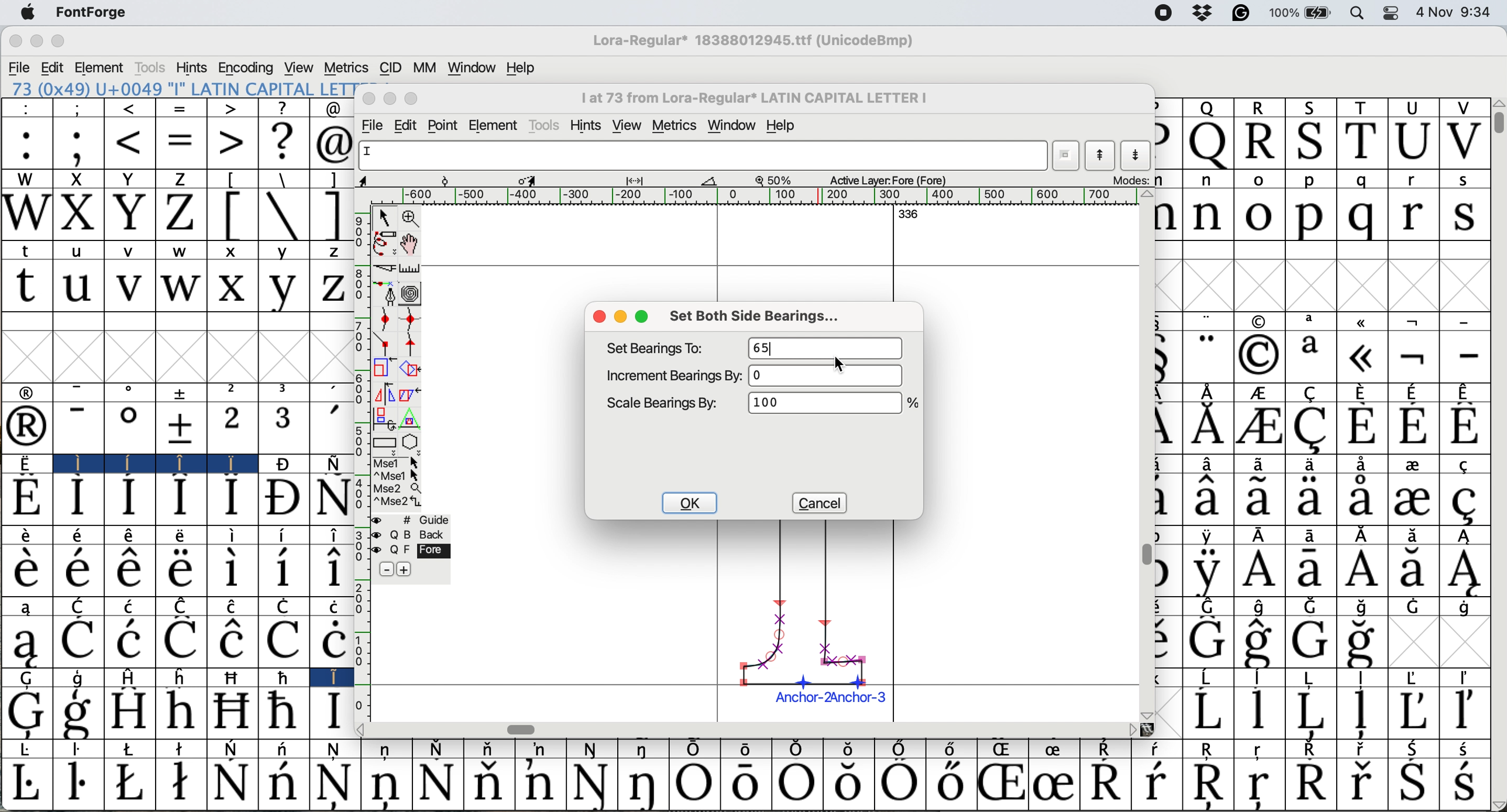 The width and height of the screenshot is (1507, 812). I want to click on Symbol, so click(1258, 570).